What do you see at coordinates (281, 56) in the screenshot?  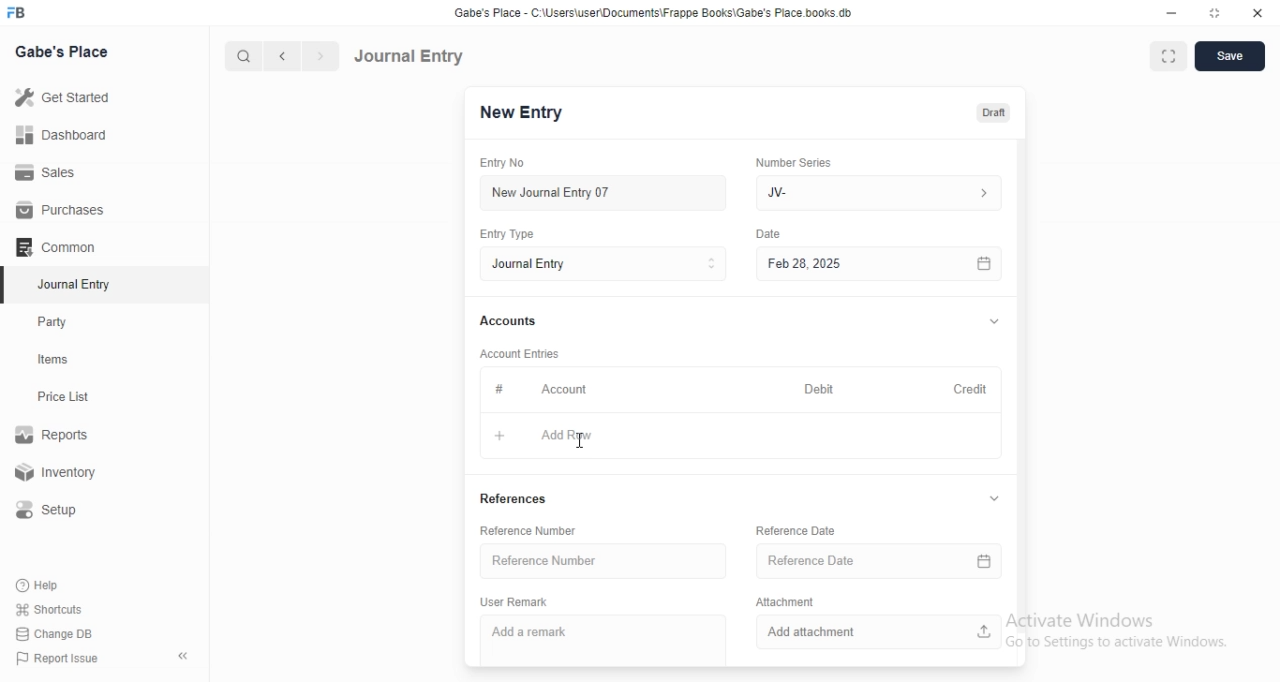 I see `backward` at bounding box center [281, 56].